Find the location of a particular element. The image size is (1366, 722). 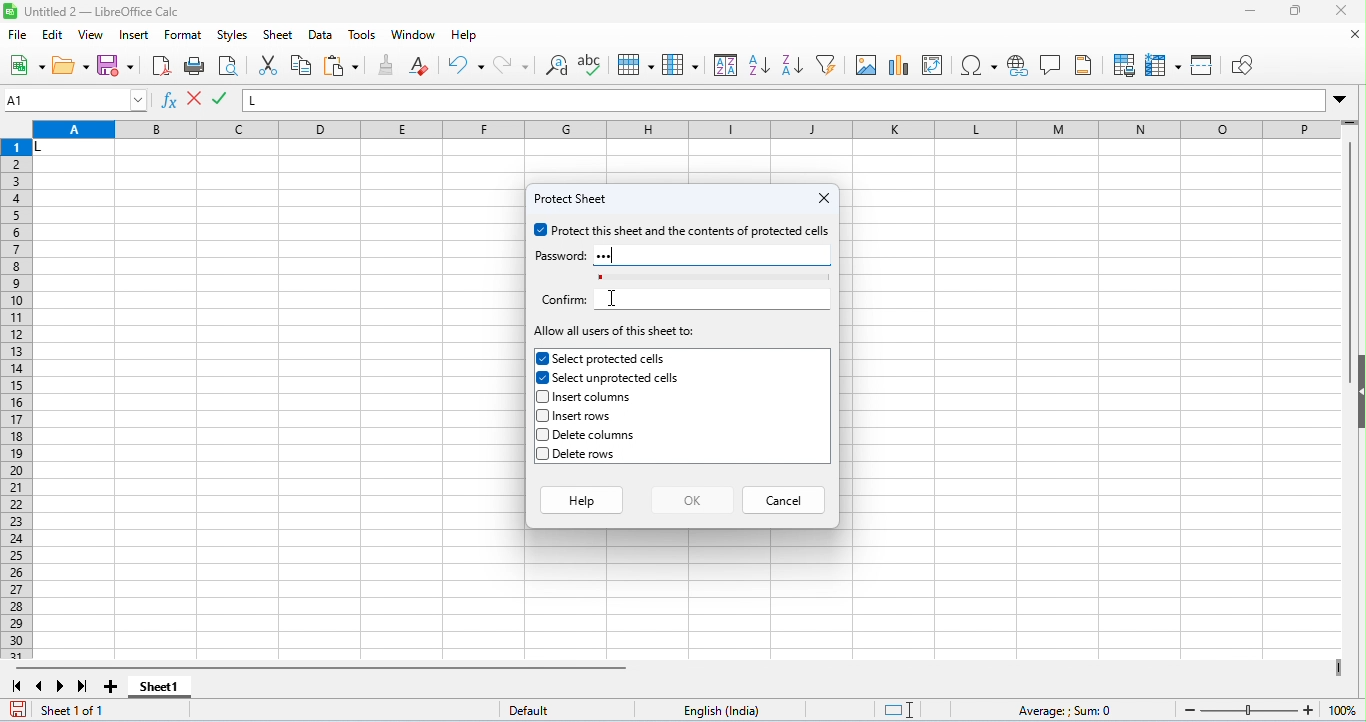

cell with data is located at coordinates (73, 149).